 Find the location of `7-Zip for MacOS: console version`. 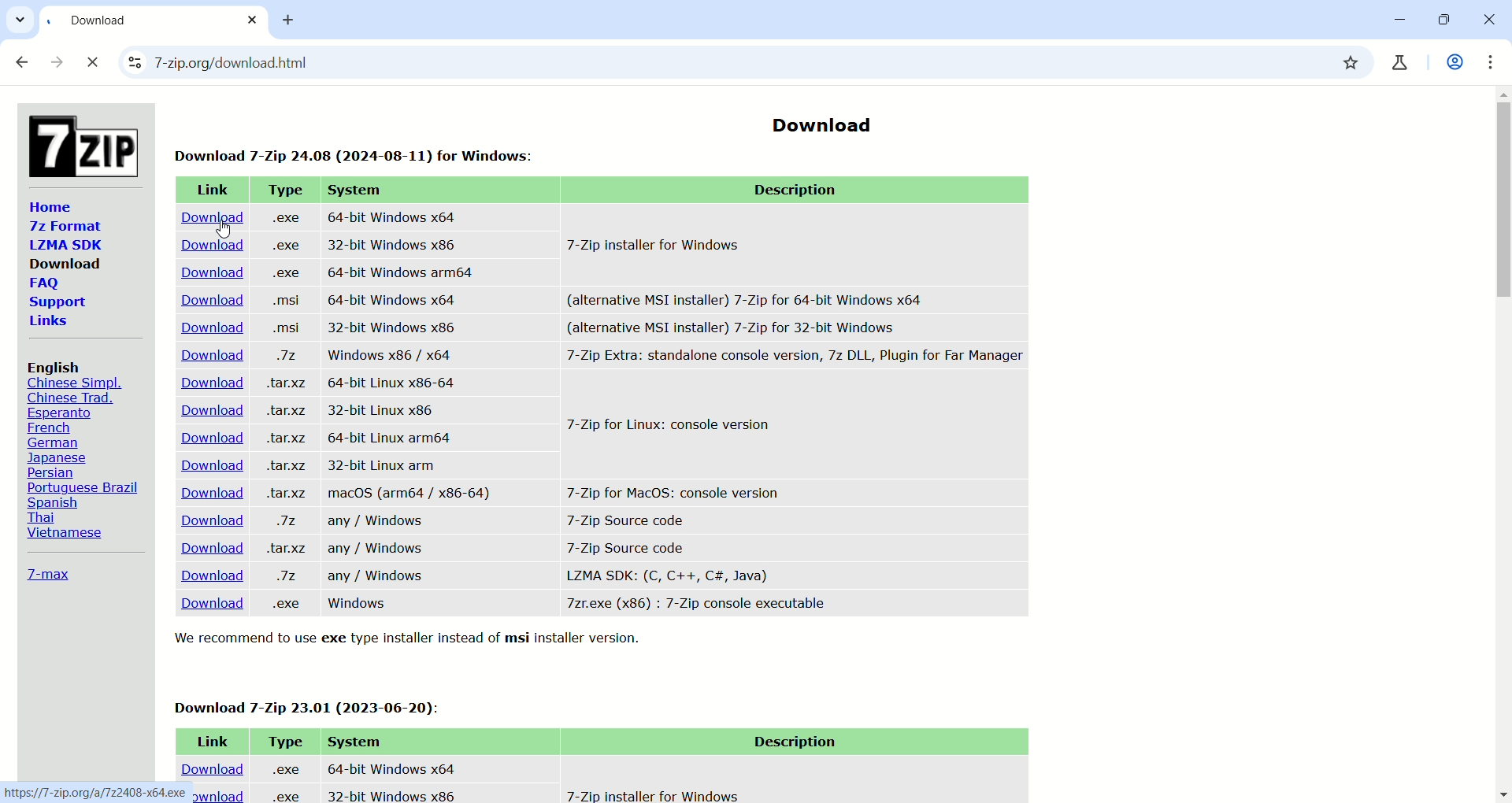

7-Zip for MacOS: console version is located at coordinates (667, 490).